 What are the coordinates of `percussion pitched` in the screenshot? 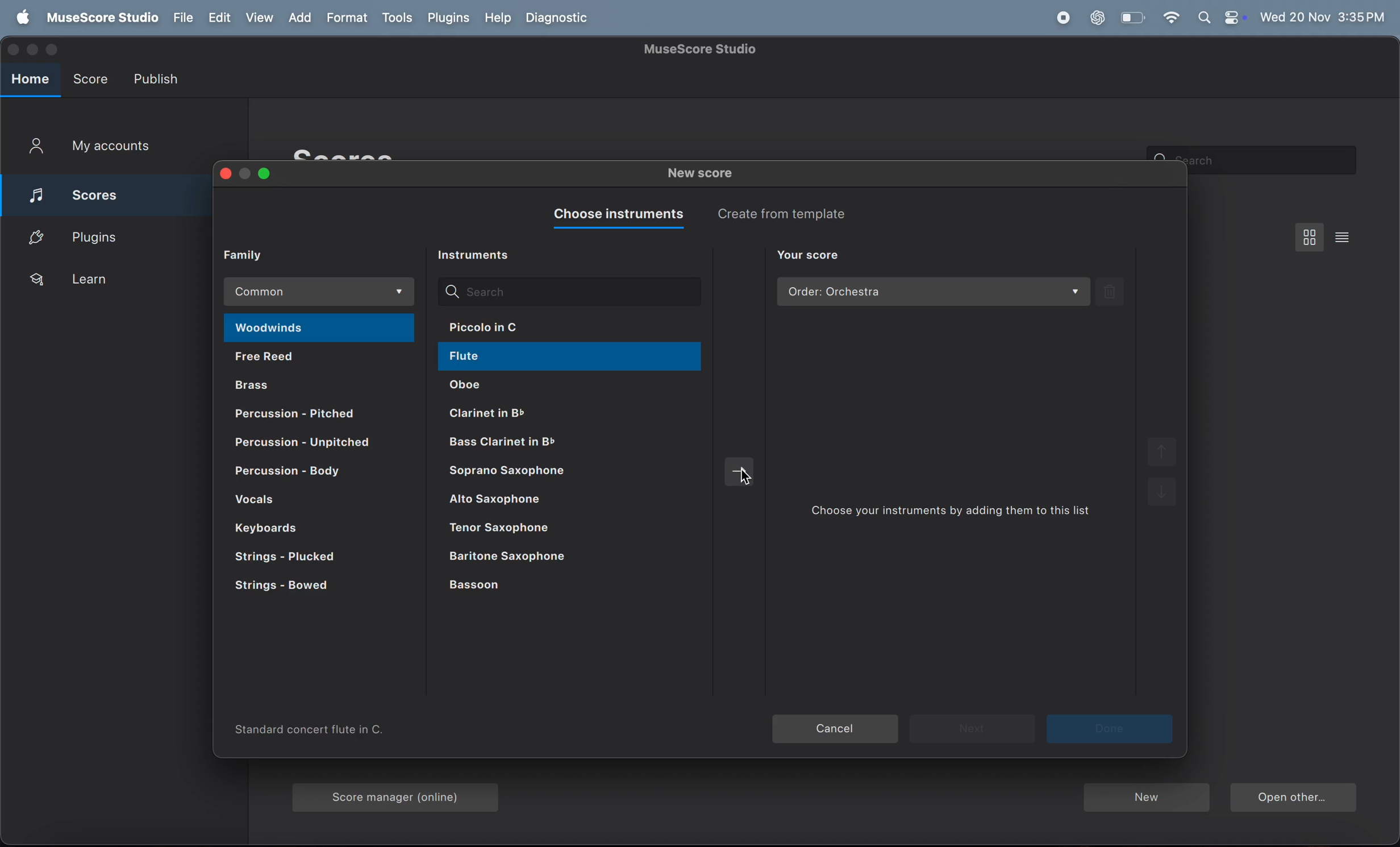 It's located at (318, 413).